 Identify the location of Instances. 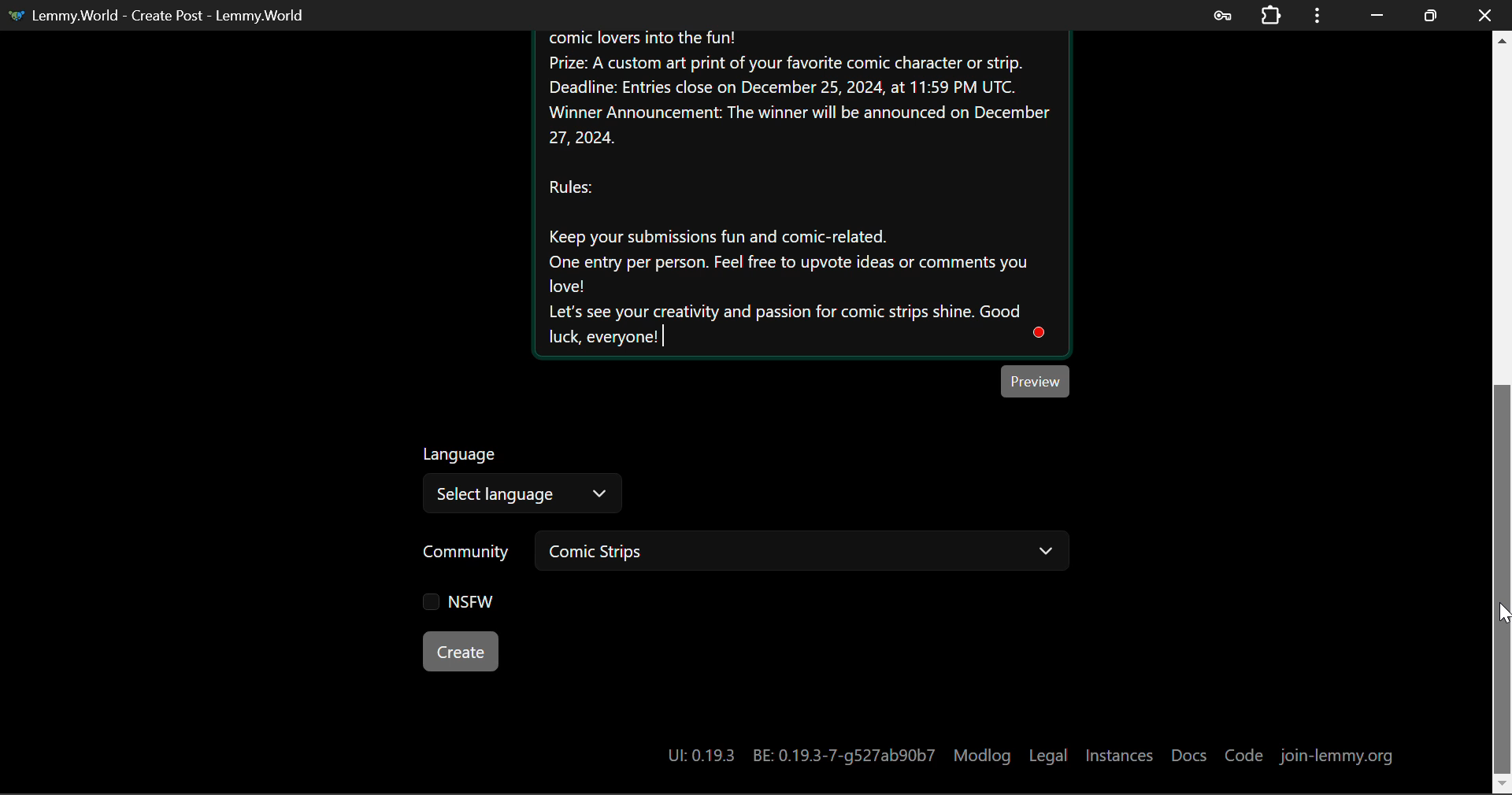
(1119, 756).